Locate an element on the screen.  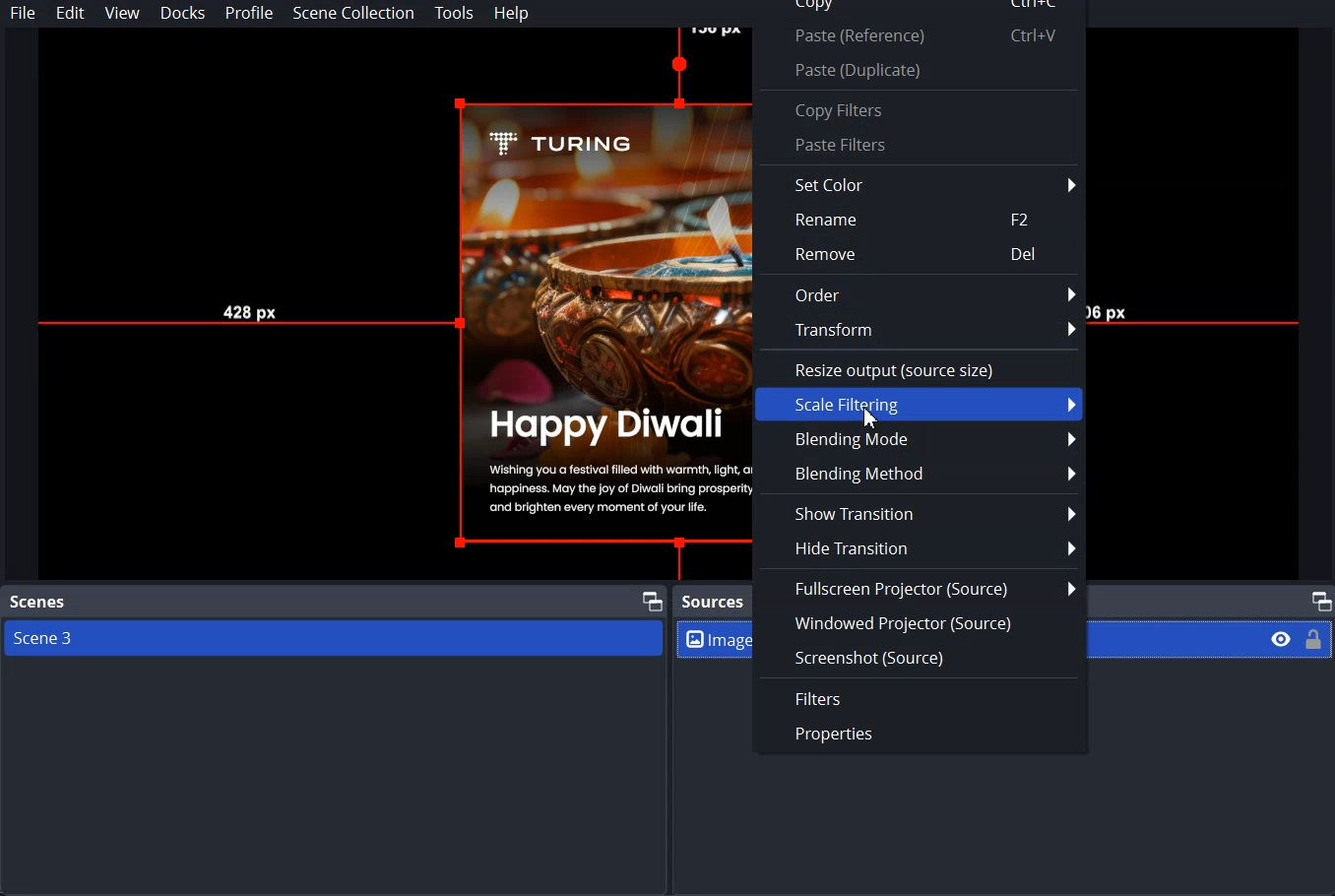
Profile is located at coordinates (249, 14).